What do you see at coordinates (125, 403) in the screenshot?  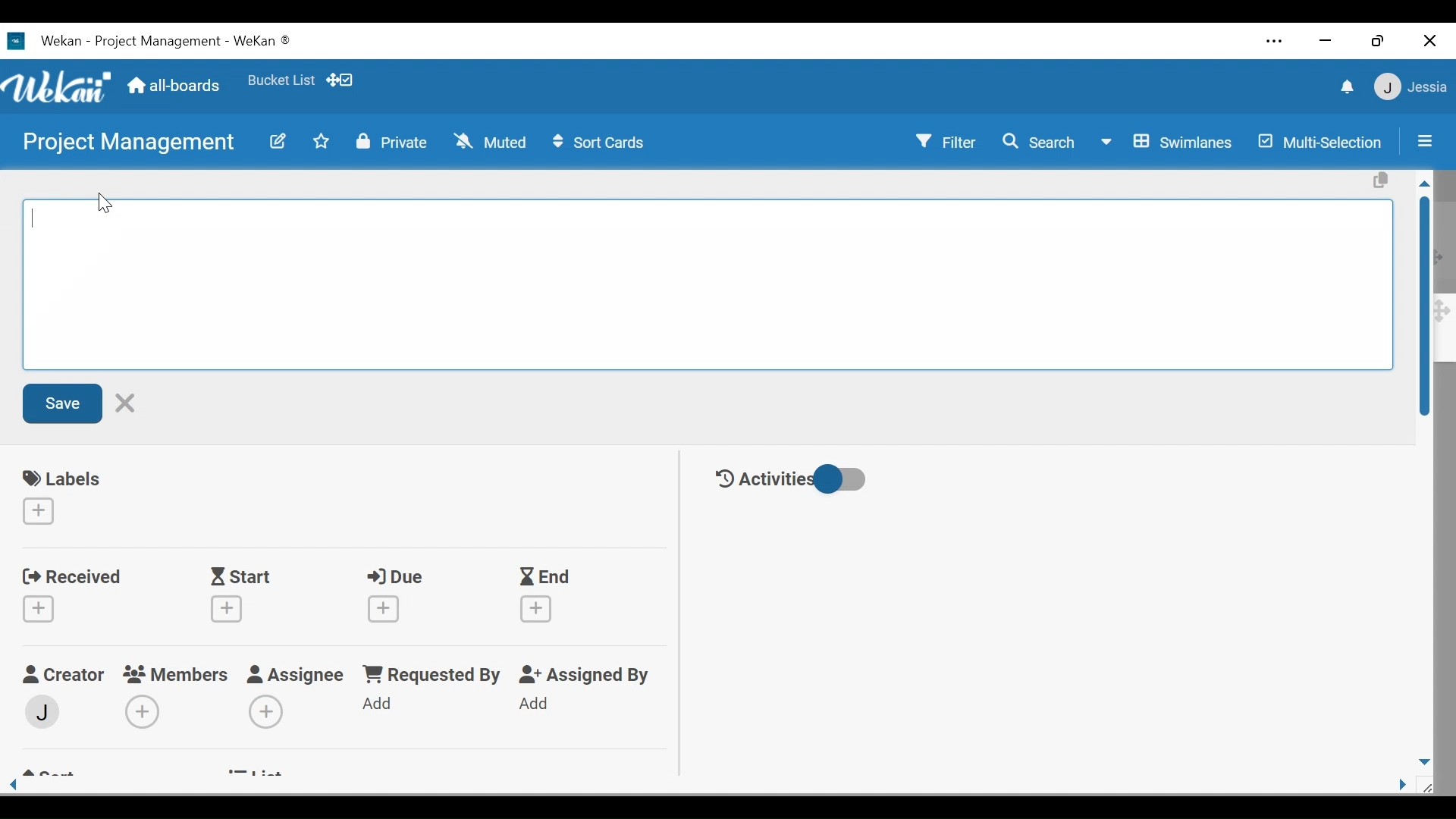 I see `Cancel` at bounding box center [125, 403].